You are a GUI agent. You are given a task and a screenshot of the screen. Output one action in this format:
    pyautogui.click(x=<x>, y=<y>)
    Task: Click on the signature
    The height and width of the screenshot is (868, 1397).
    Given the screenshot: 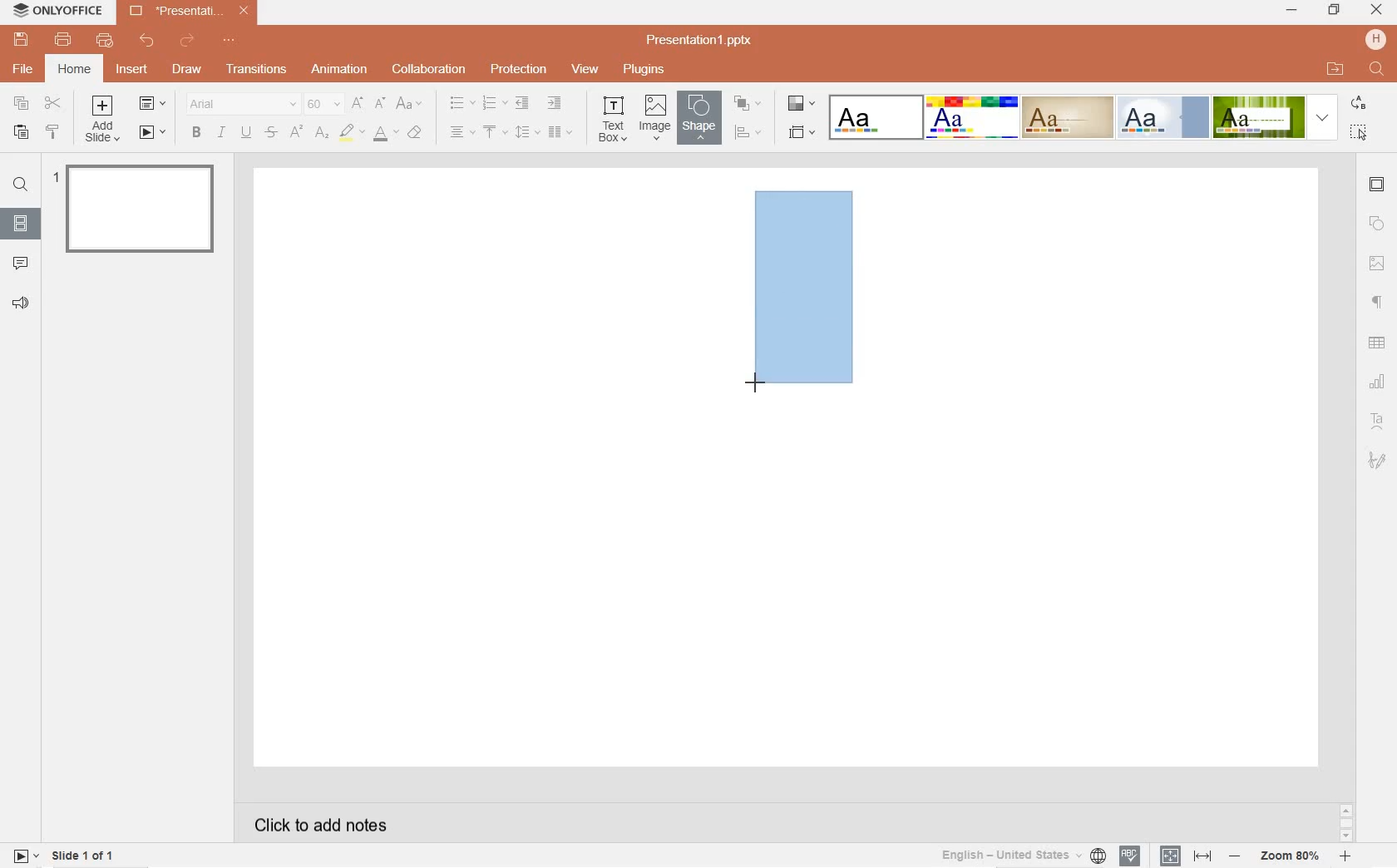 What is the action you would take?
    pyautogui.click(x=1378, y=460)
    